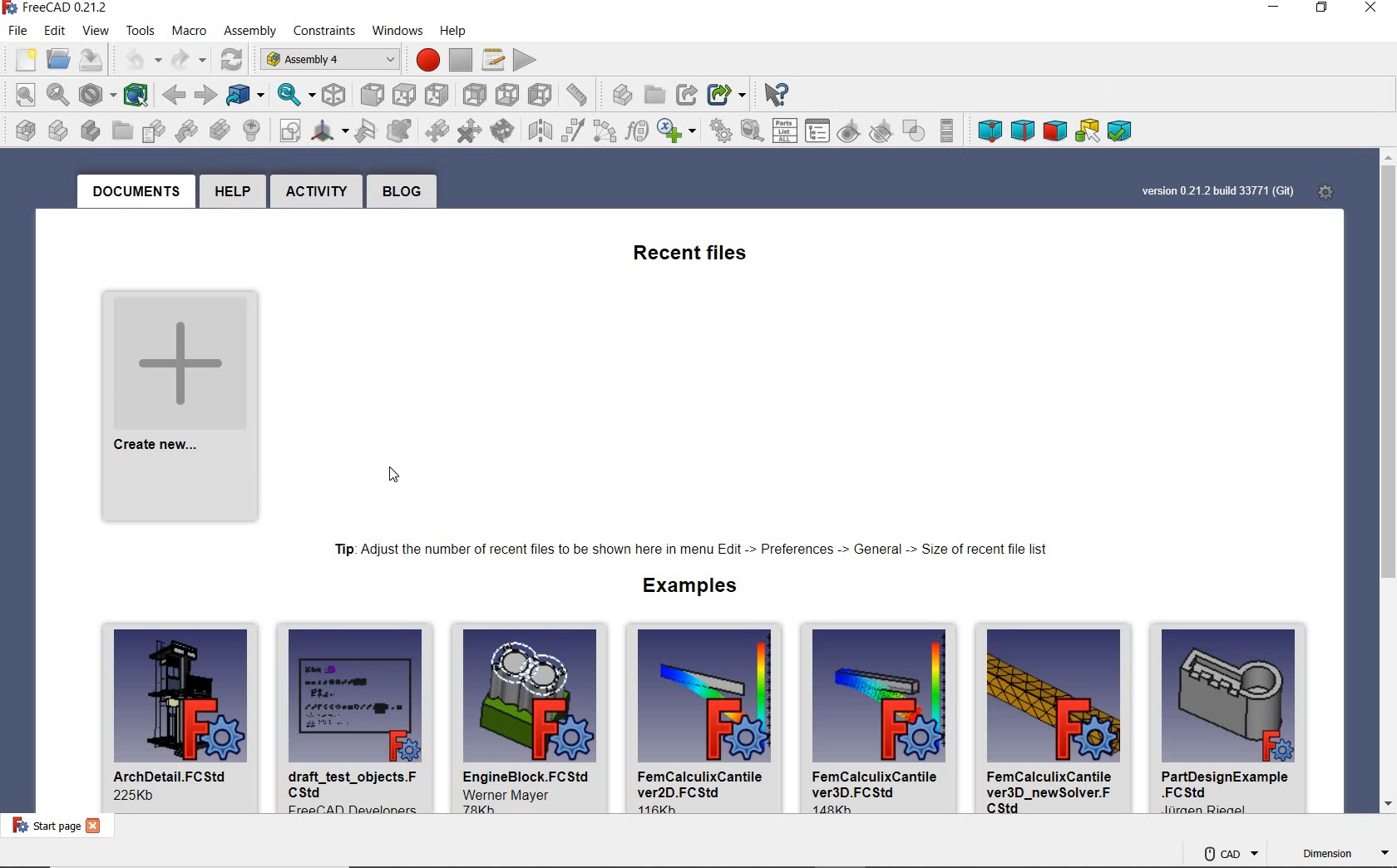  What do you see at coordinates (881, 717) in the screenshot?
I see `FemCalculixCantile` at bounding box center [881, 717].